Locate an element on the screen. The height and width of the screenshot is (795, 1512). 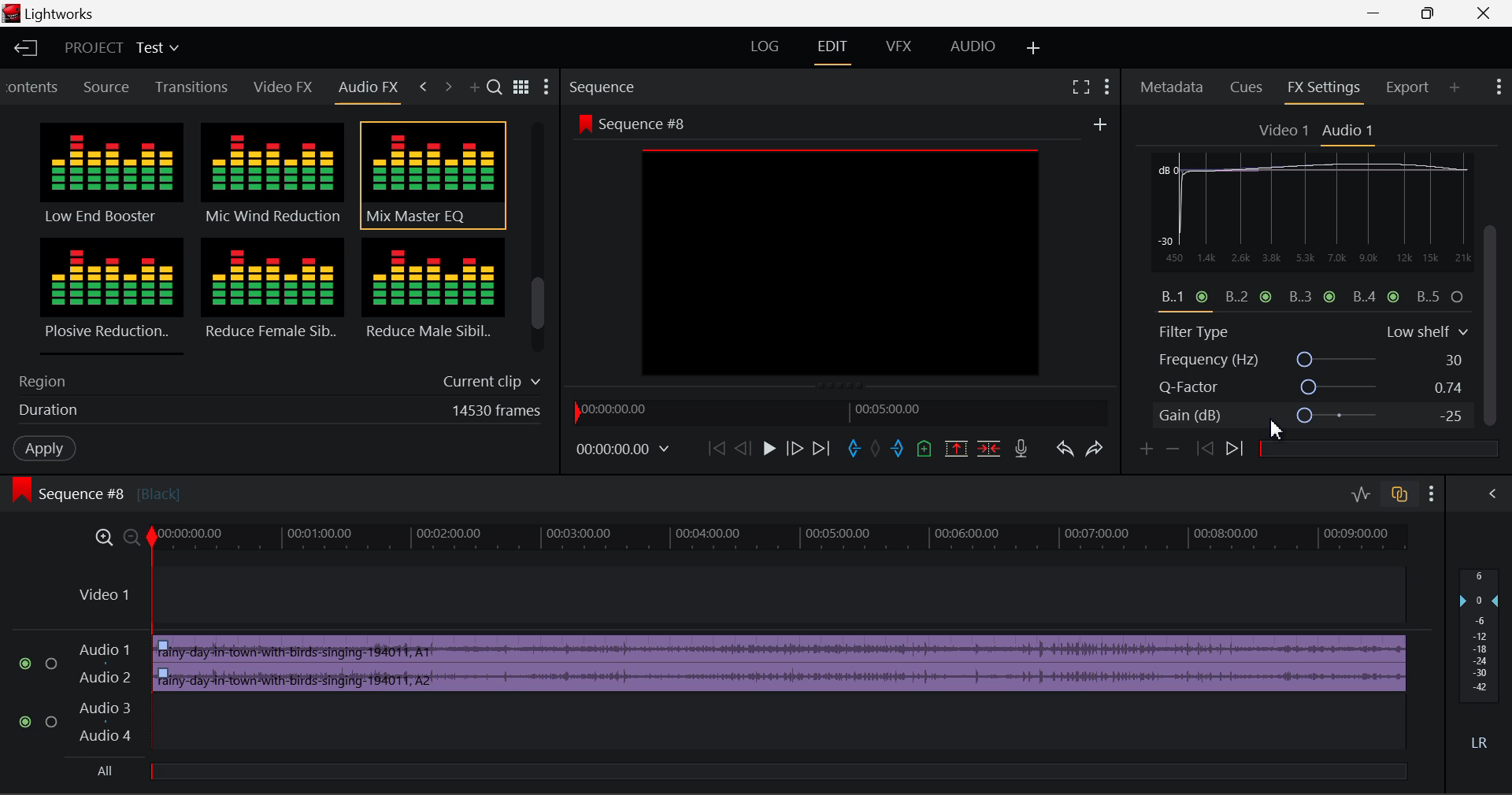
Add keyframe is located at coordinates (1143, 452).